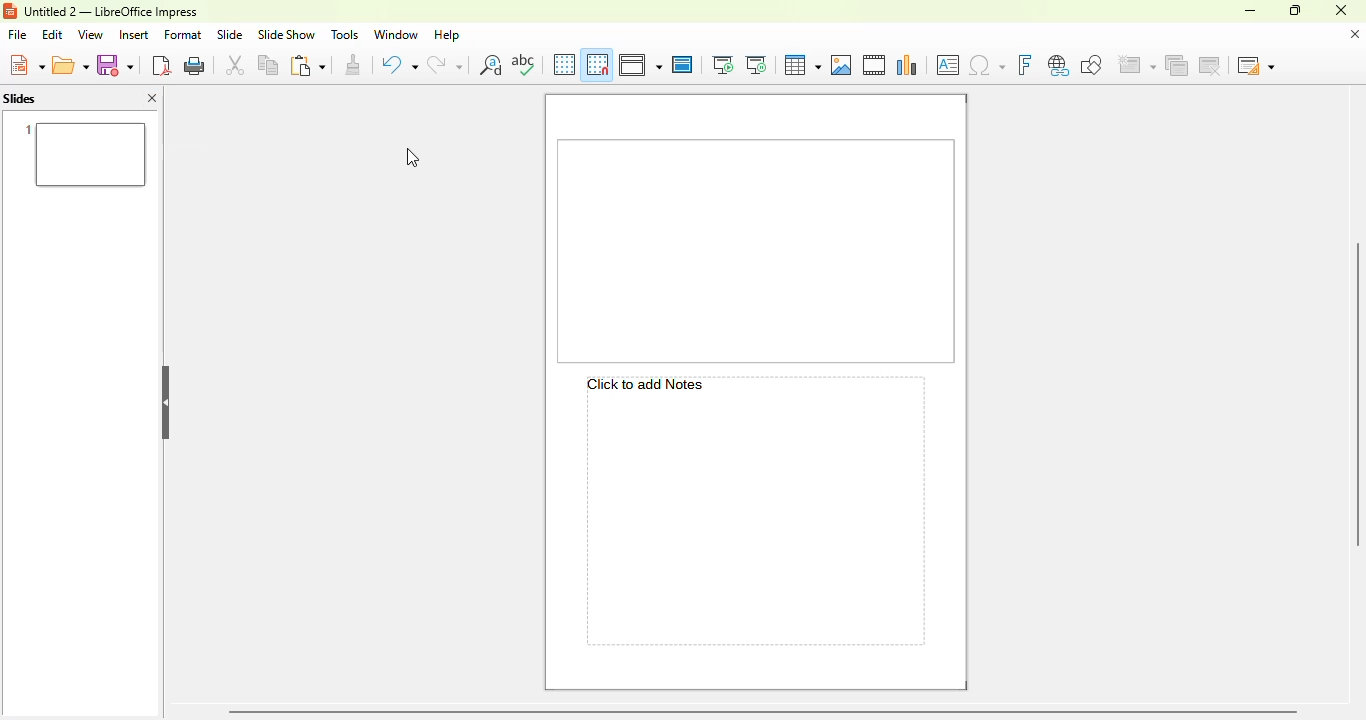 The width and height of the screenshot is (1366, 720). What do you see at coordinates (162, 65) in the screenshot?
I see `export directly as PDF` at bounding box center [162, 65].